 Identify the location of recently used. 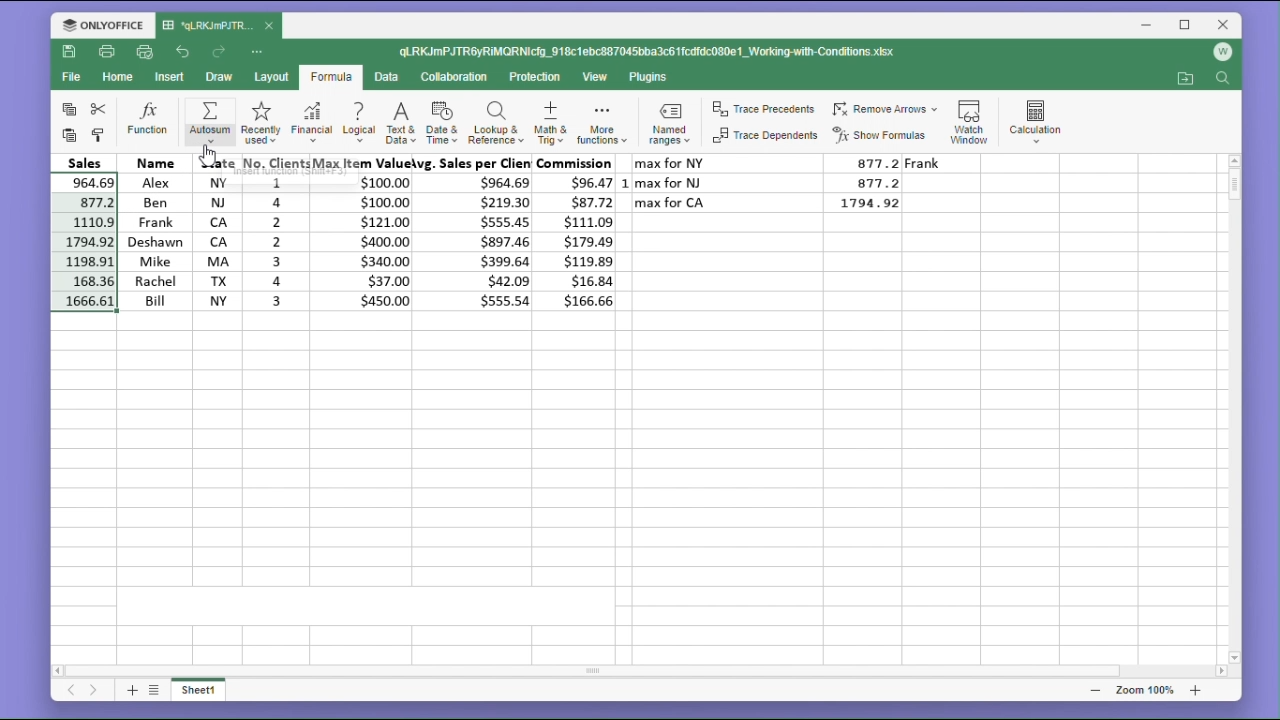
(259, 124).